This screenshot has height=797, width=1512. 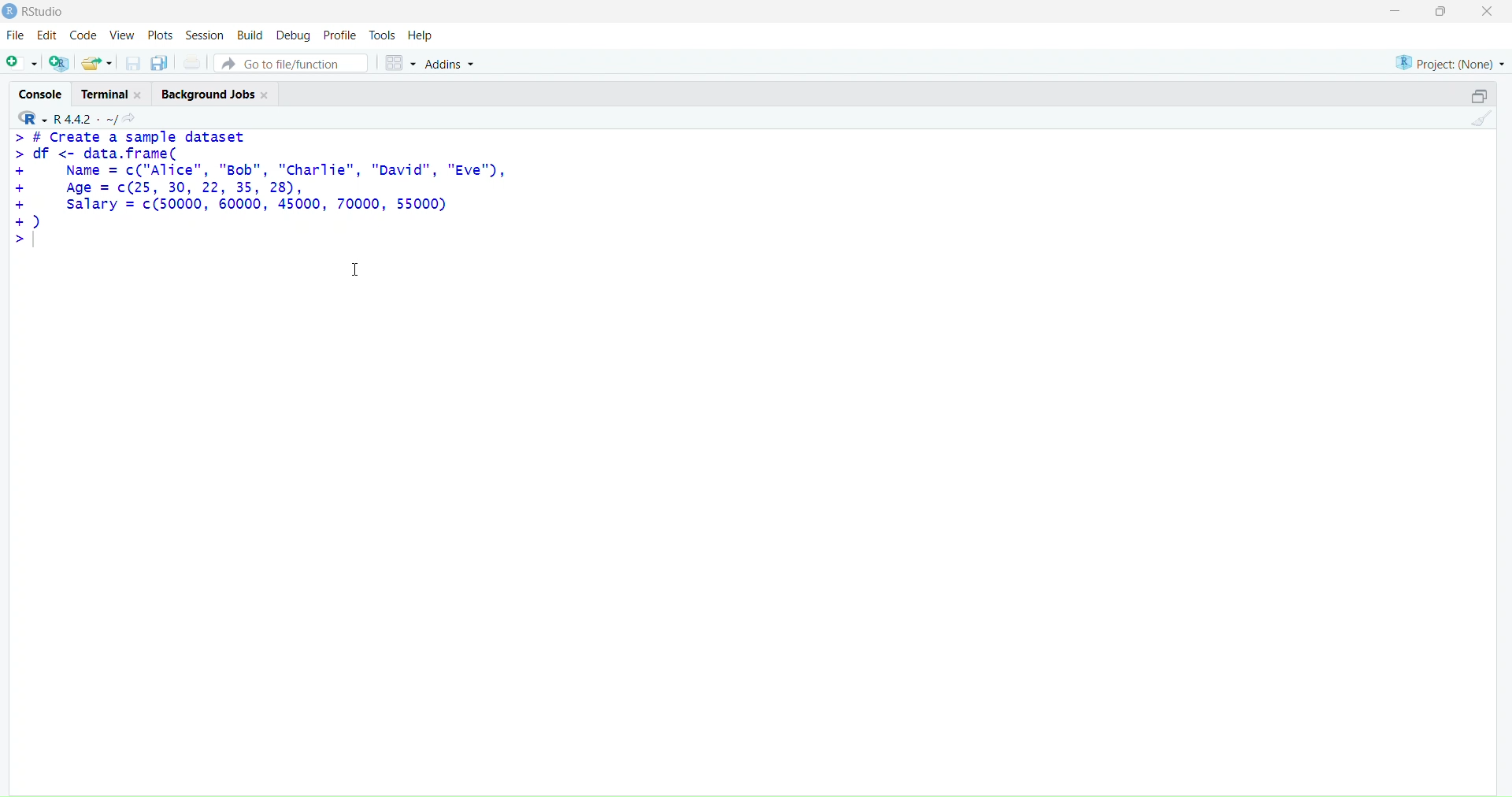 I want to click on terminal, so click(x=113, y=95).